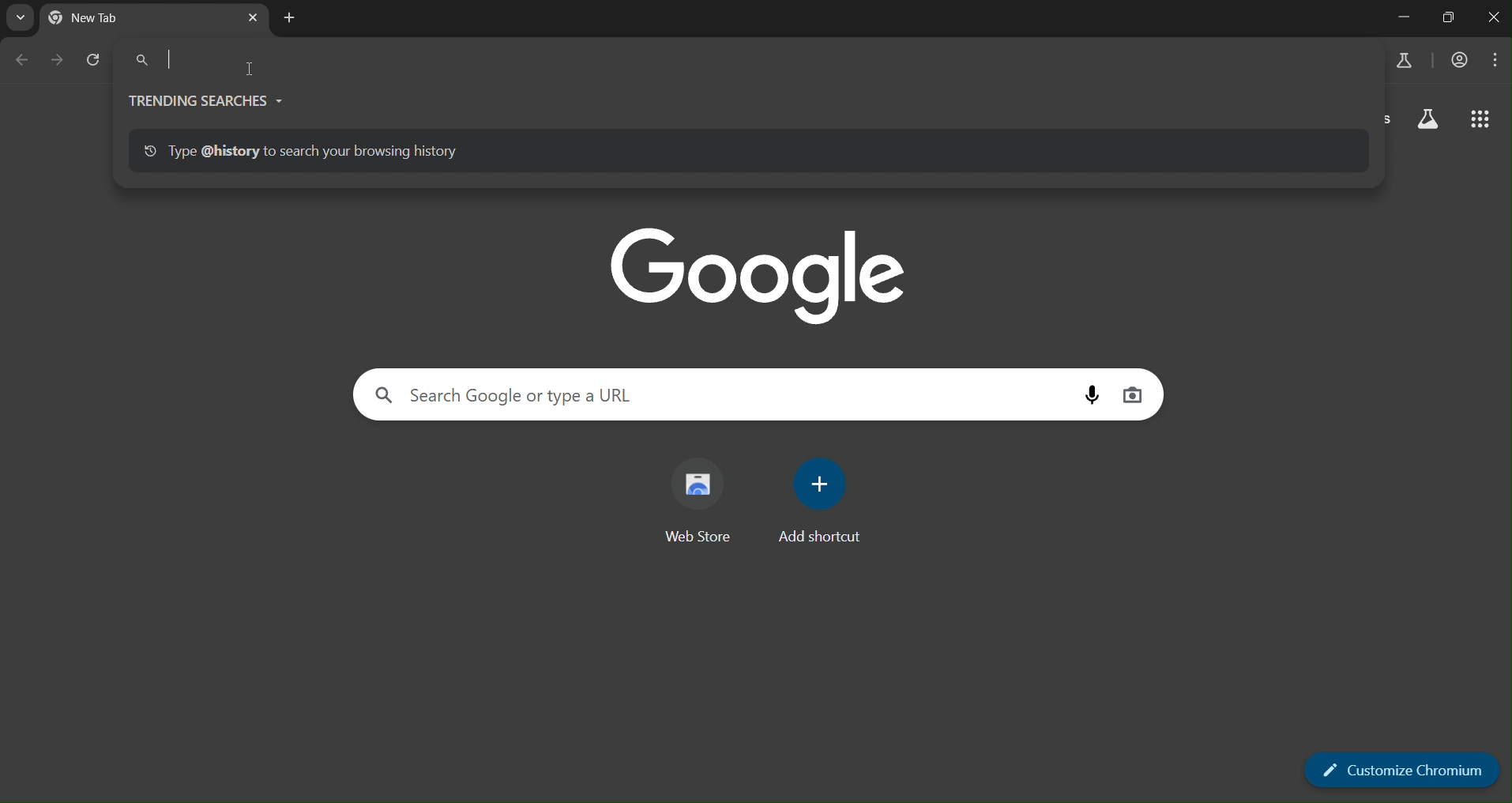 The width and height of the screenshot is (1512, 803). What do you see at coordinates (96, 60) in the screenshot?
I see `reload page` at bounding box center [96, 60].